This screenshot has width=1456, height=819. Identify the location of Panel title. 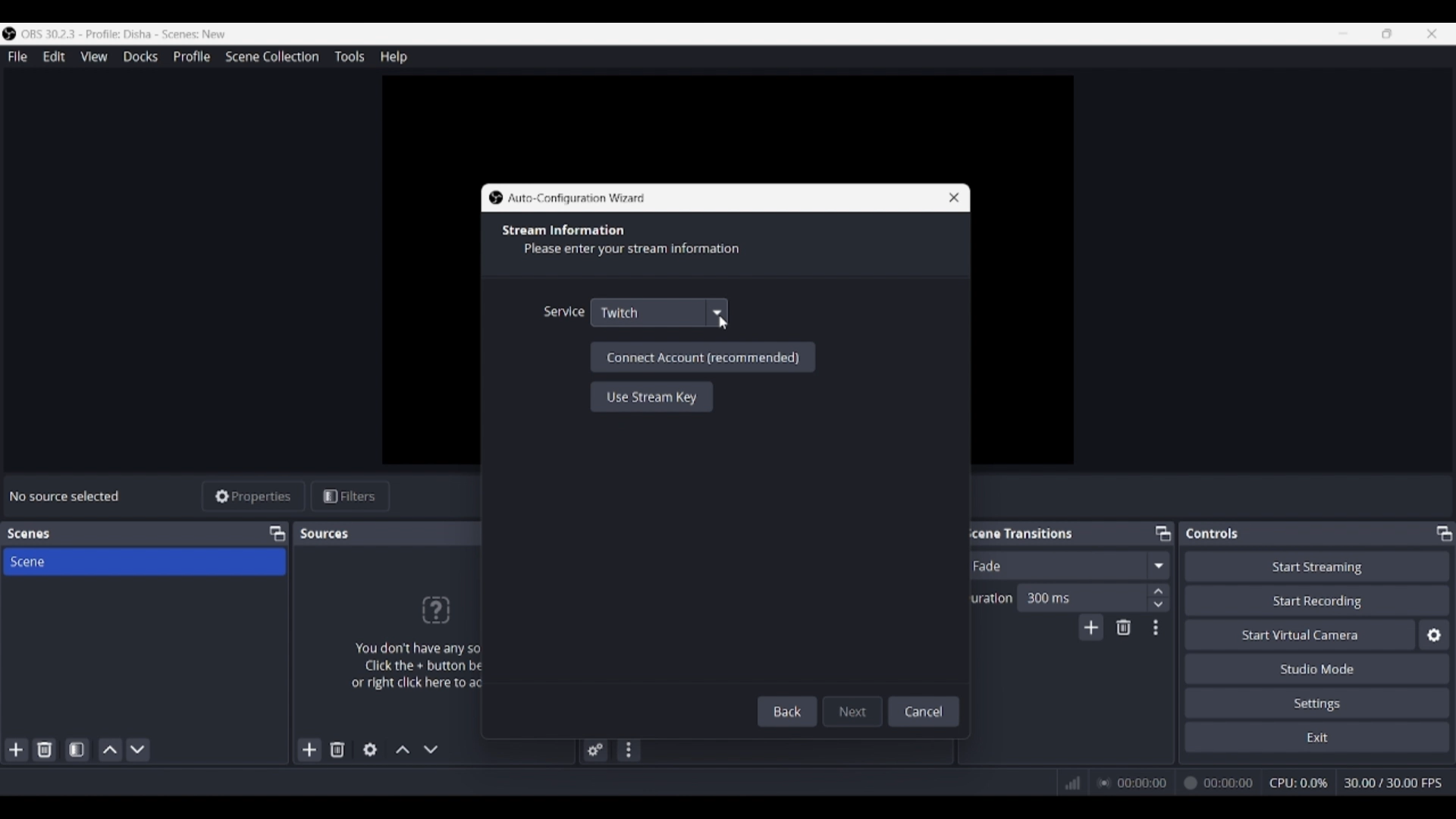
(1213, 533).